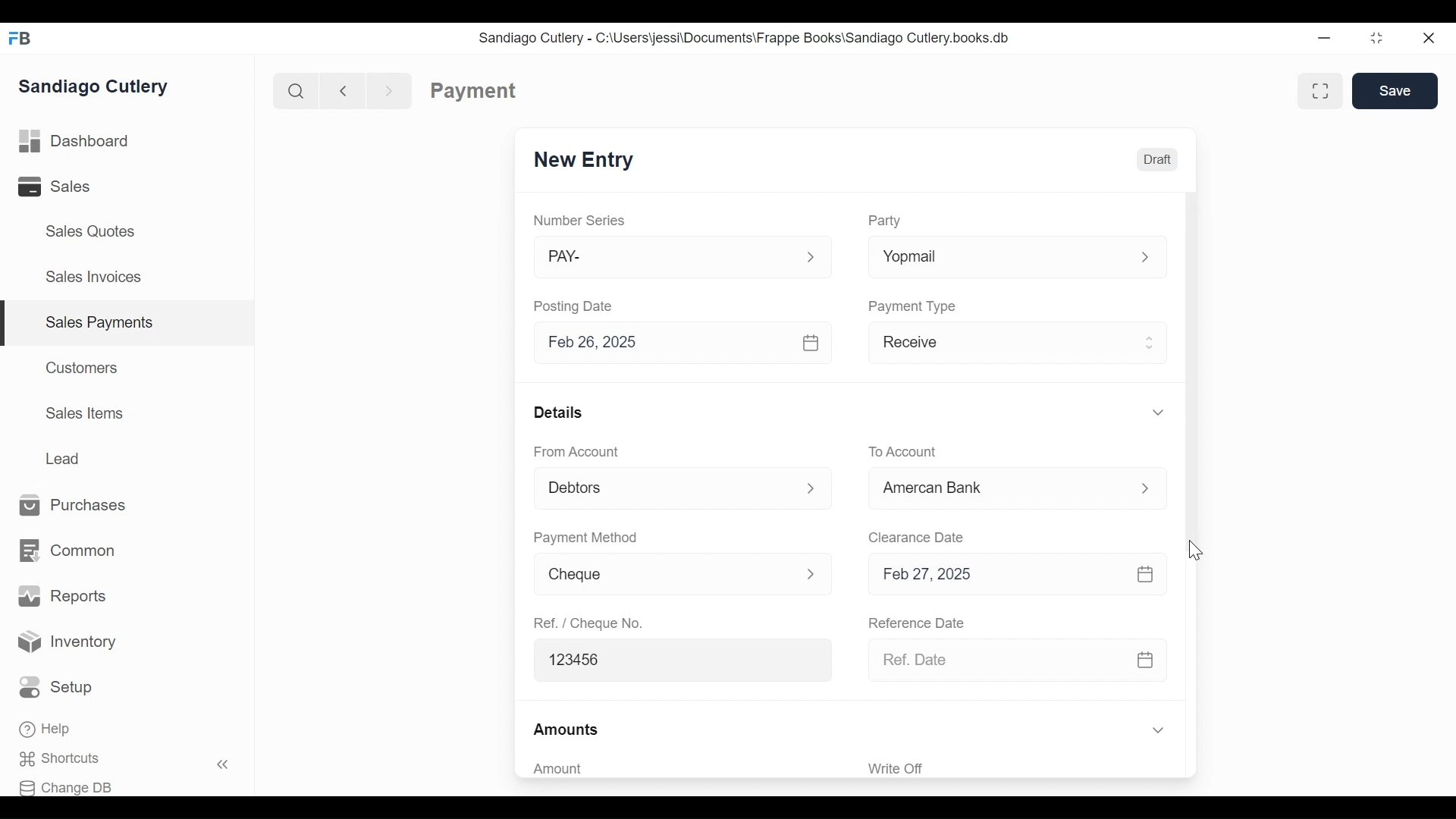 This screenshot has height=819, width=1456. Describe the element at coordinates (658, 575) in the screenshot. I see `Cheque` at that location.